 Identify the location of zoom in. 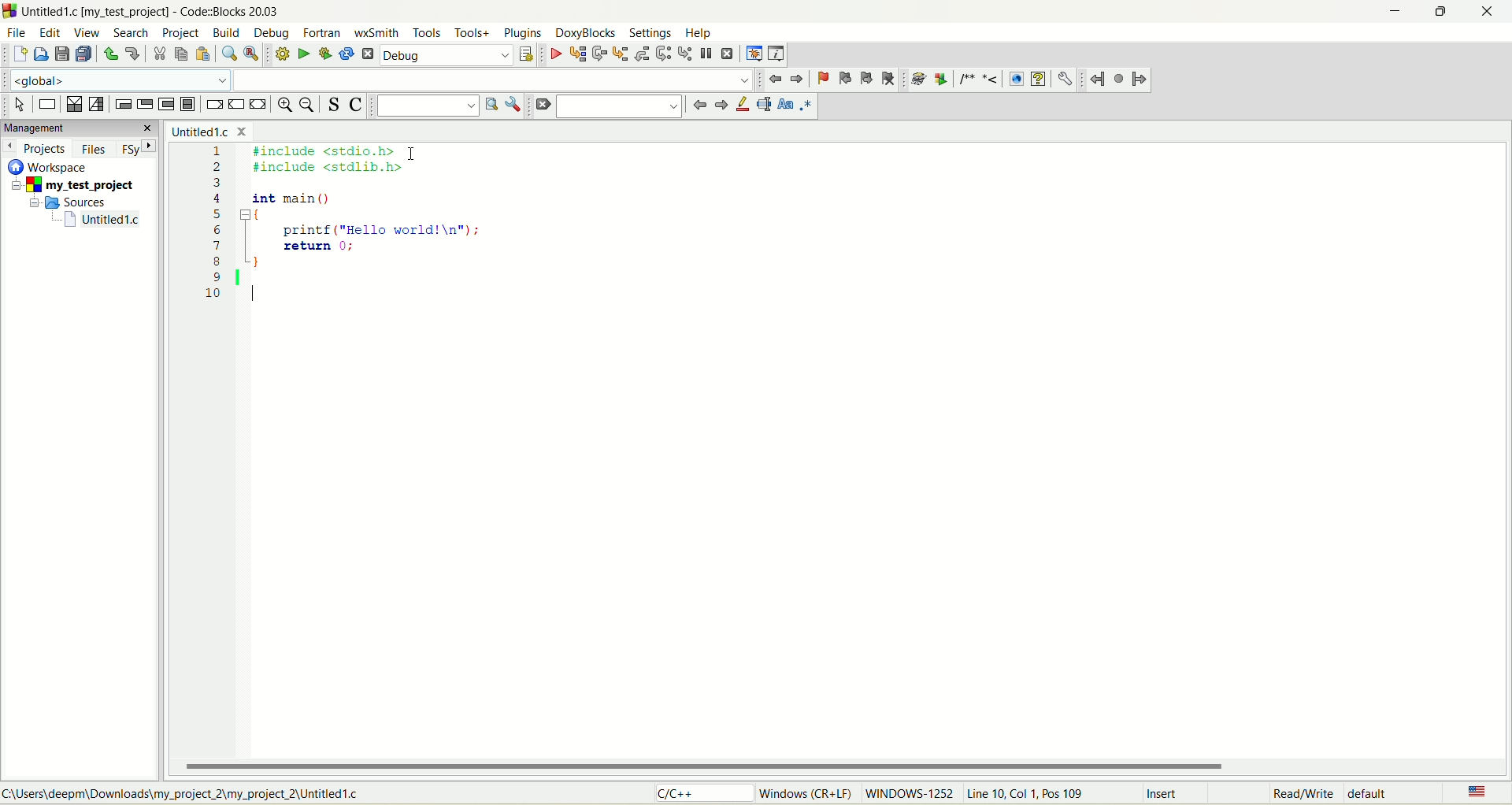
(283, 107).